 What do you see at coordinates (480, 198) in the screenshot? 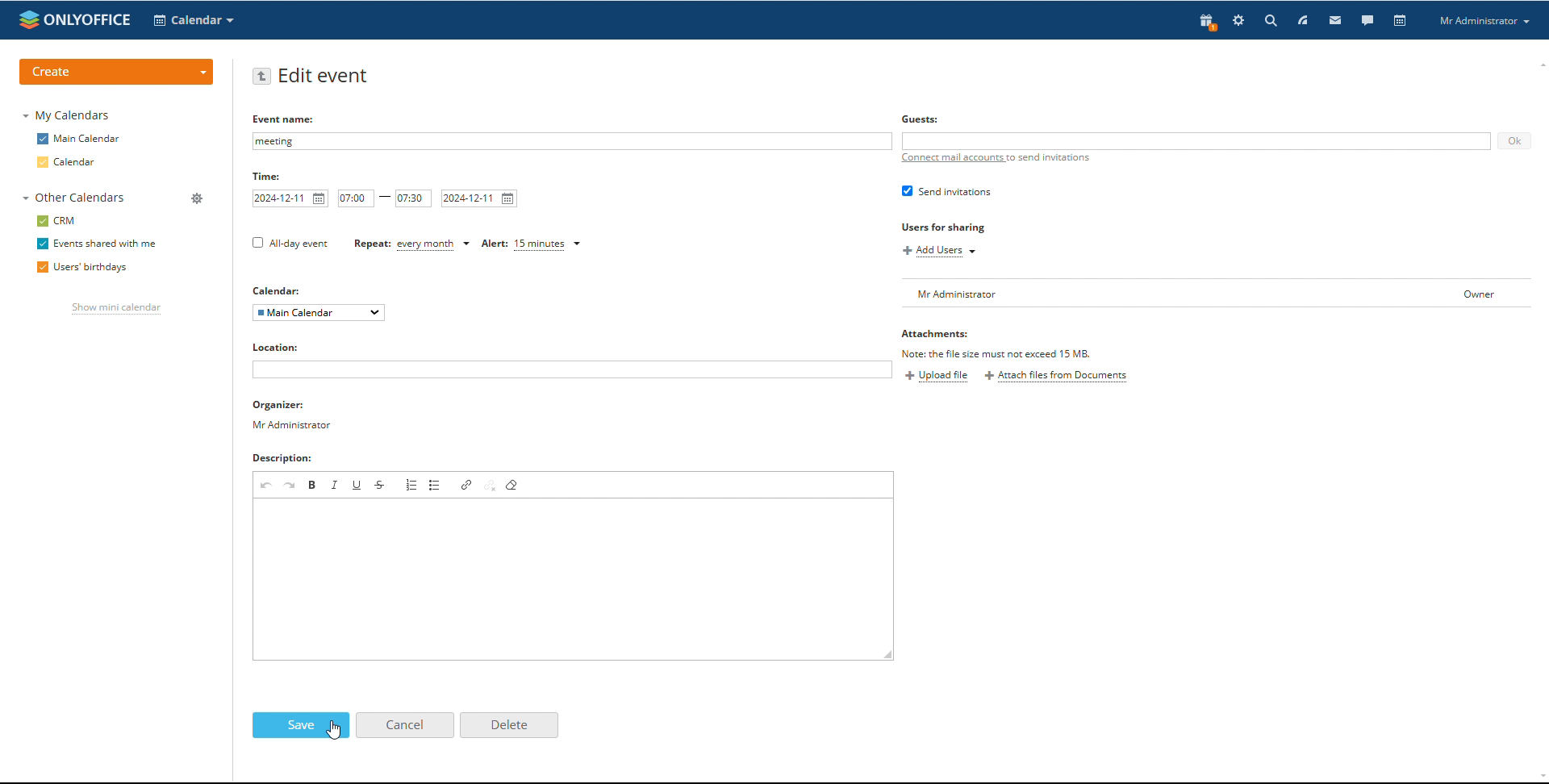
I see `end date` at bounding box center [480, 198].